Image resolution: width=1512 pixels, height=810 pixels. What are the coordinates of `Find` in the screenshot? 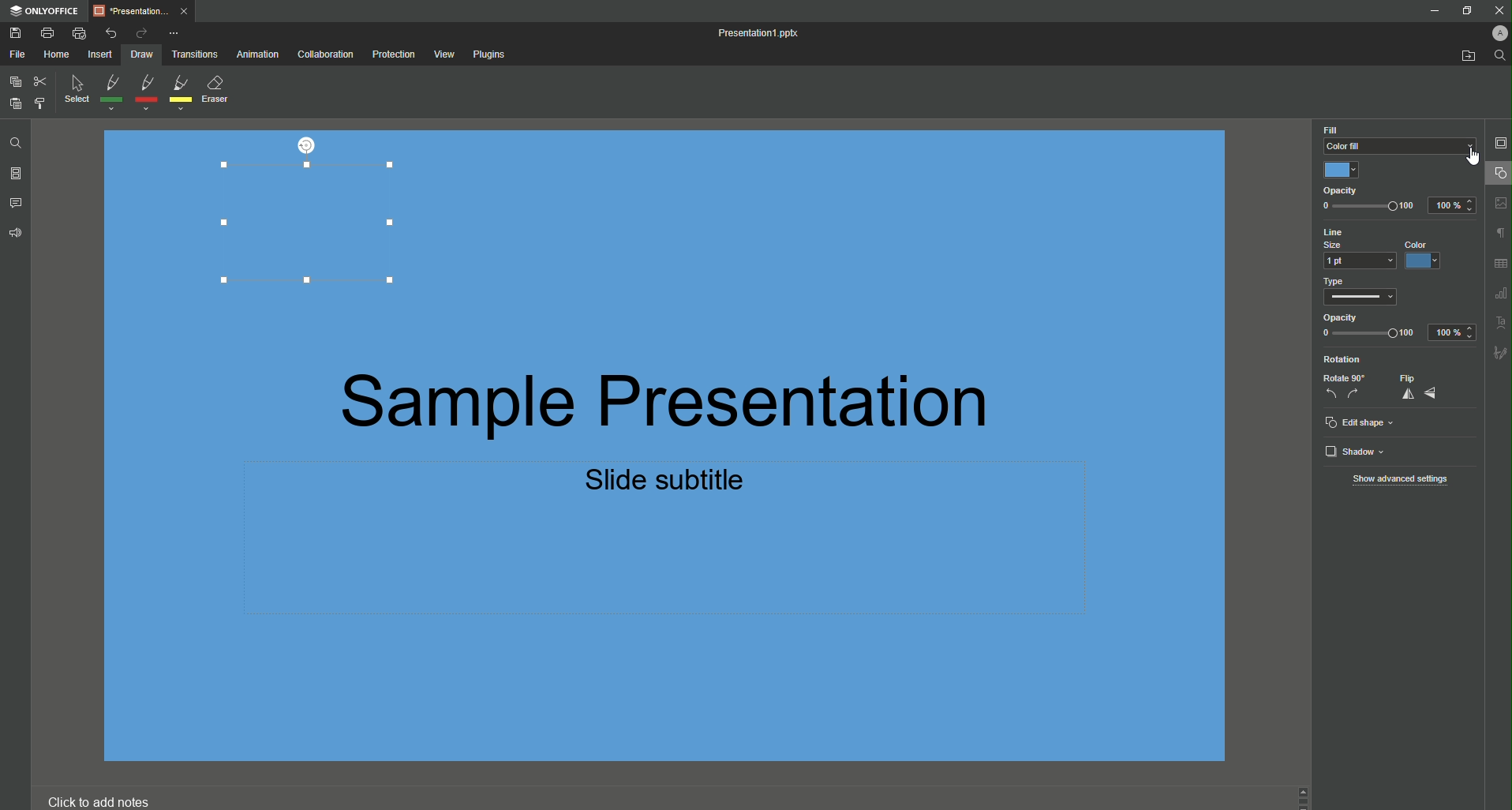 It's located at (1499, 56).